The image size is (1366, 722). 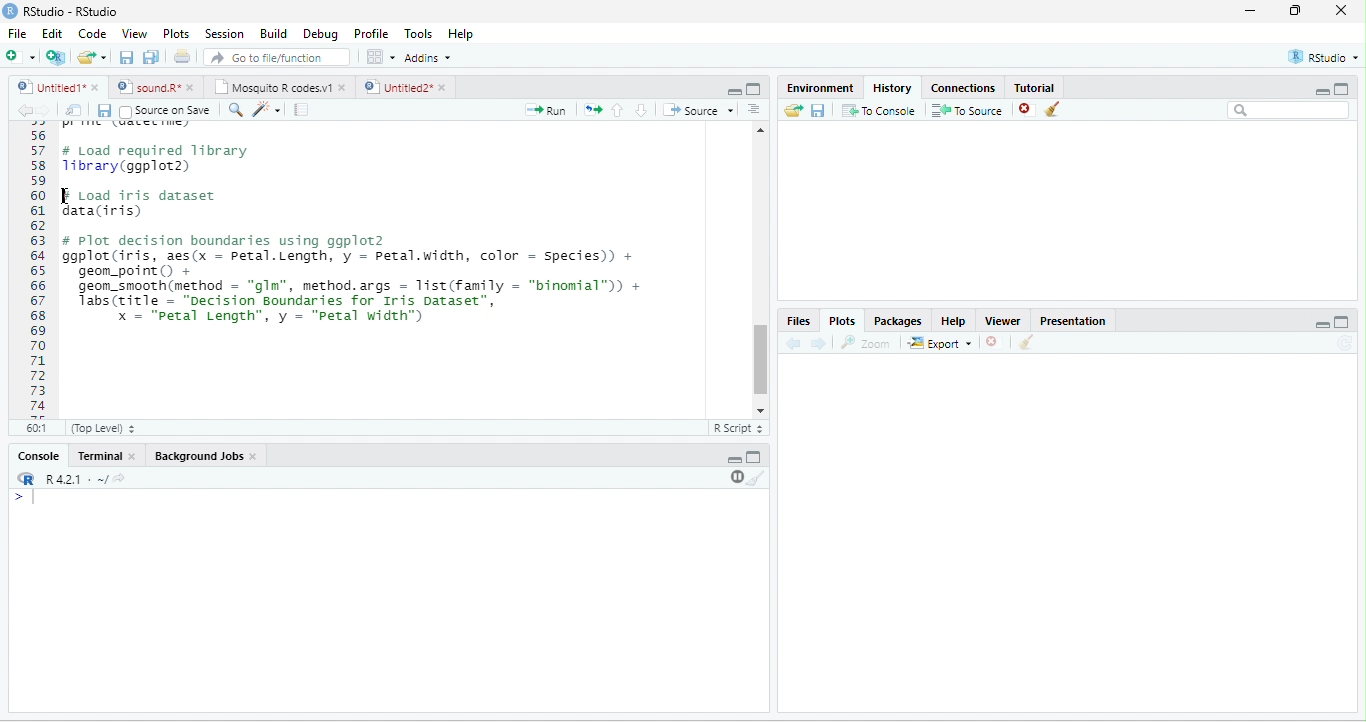 What do you see at coordinates (794, 110) in the screenshot?
I see `open folder` at bounding box center [794, 110].